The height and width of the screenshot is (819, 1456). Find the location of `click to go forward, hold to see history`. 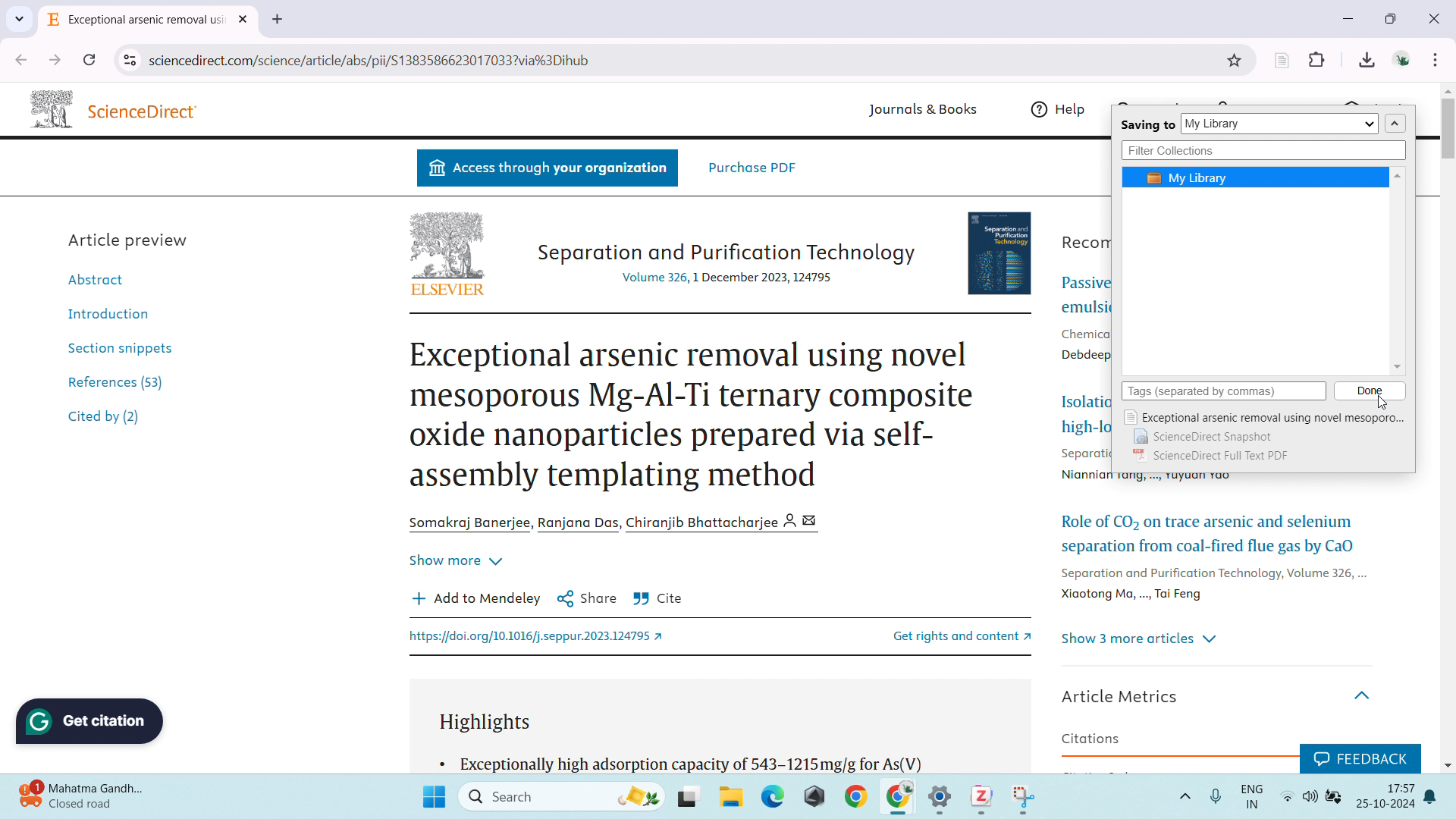

click to go forward, hold to see history is located at coordinates (55, 60).